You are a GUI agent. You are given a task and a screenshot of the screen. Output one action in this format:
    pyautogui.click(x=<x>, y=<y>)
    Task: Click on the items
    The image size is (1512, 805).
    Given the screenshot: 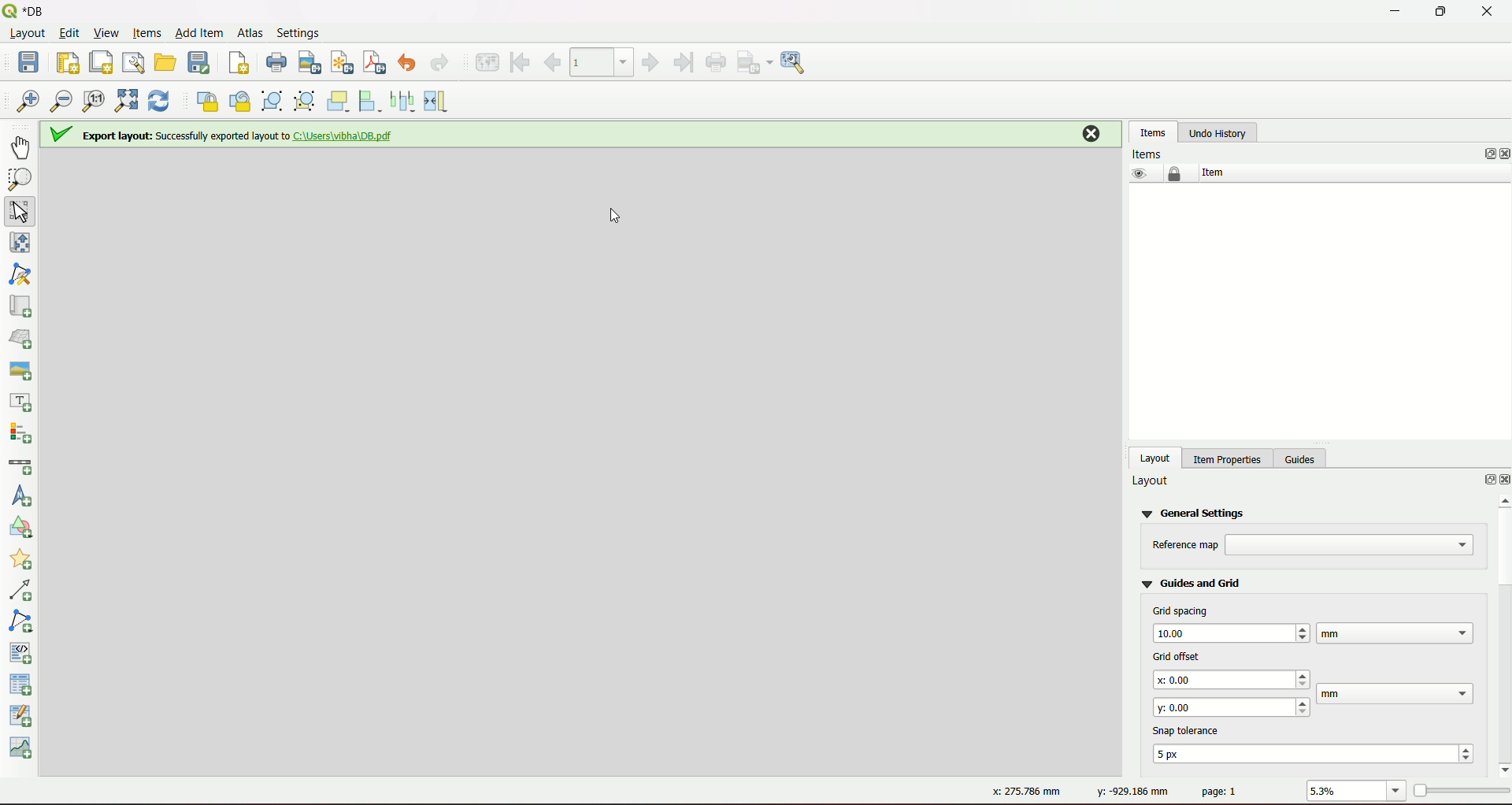 What is the action you would take?
    pyautogui.click(x=1153, y=132)
    